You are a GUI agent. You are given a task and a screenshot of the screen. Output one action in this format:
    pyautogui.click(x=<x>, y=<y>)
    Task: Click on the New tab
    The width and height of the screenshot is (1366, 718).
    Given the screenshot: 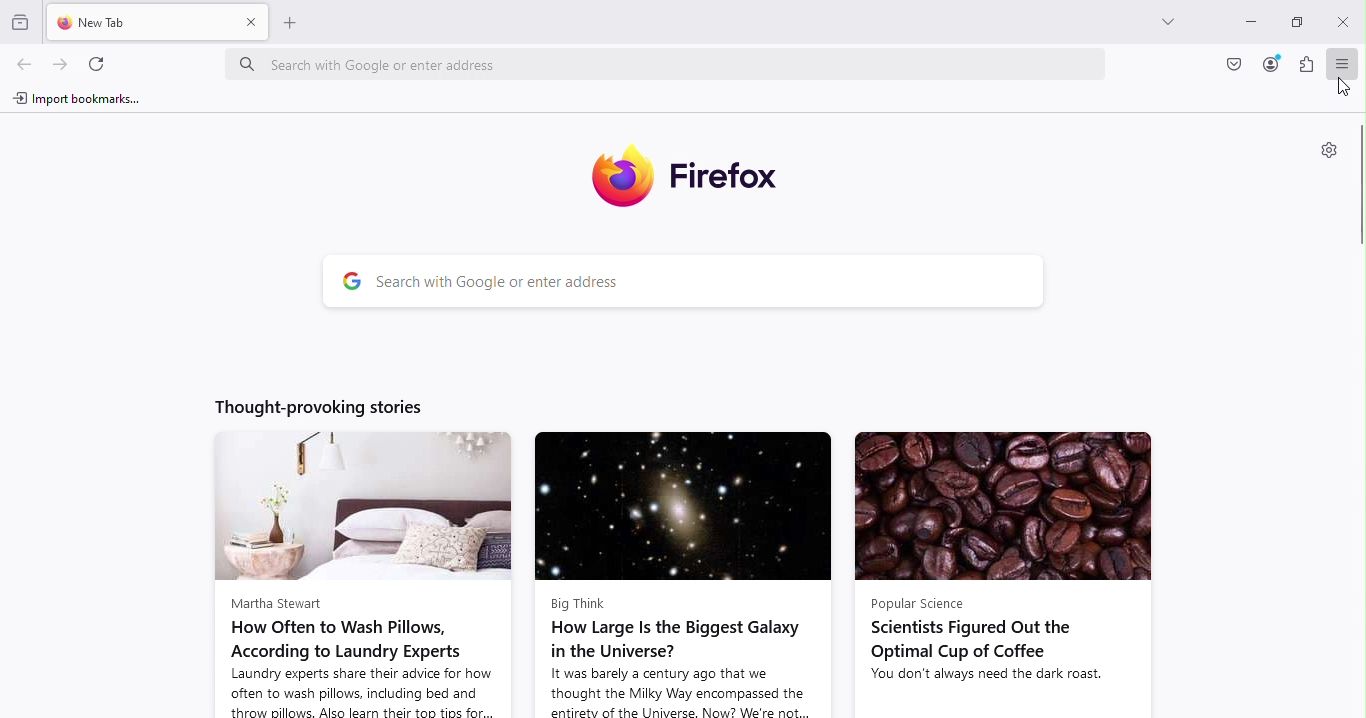 What is the action you would take?
    pyautogui.click(x=141, y=24)
    